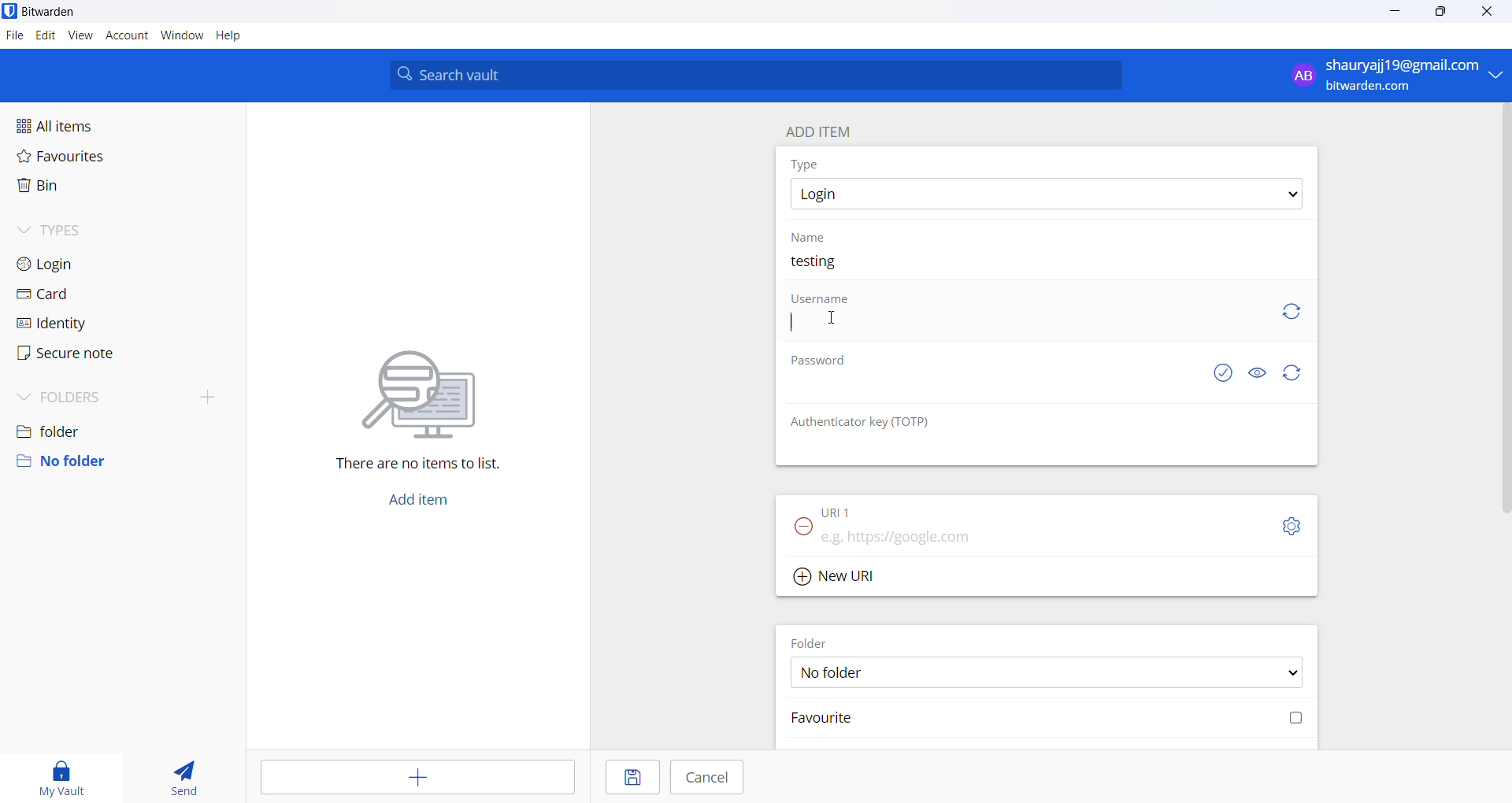 This screenshot has height=803, width=1512. I want to click on refresh, so click(1288, 311).